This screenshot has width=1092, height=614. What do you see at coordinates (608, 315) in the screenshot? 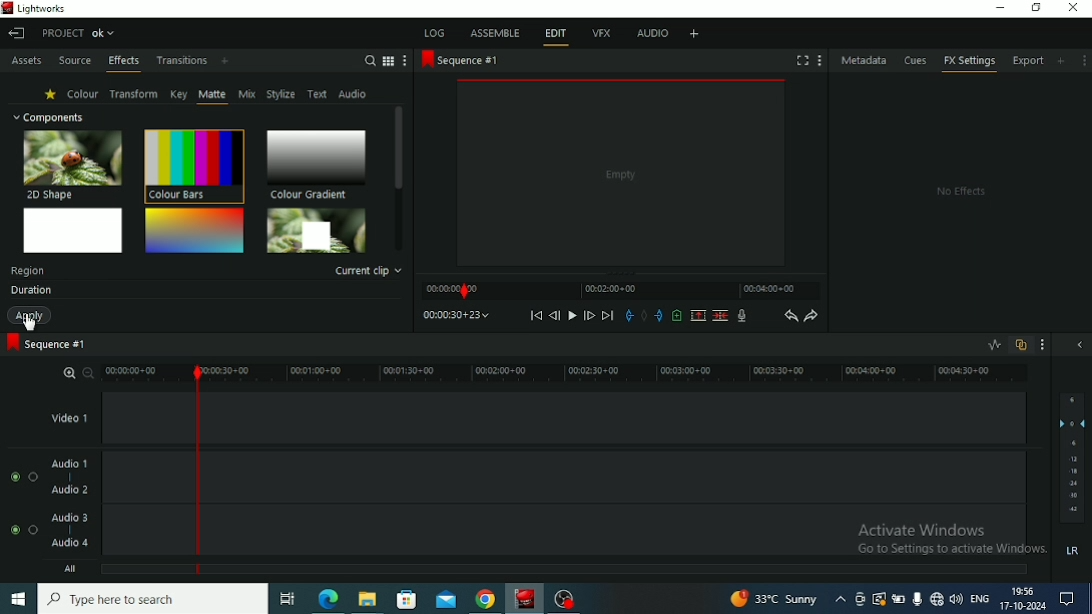
I see `Move forward` at bounding box center [608, 315].